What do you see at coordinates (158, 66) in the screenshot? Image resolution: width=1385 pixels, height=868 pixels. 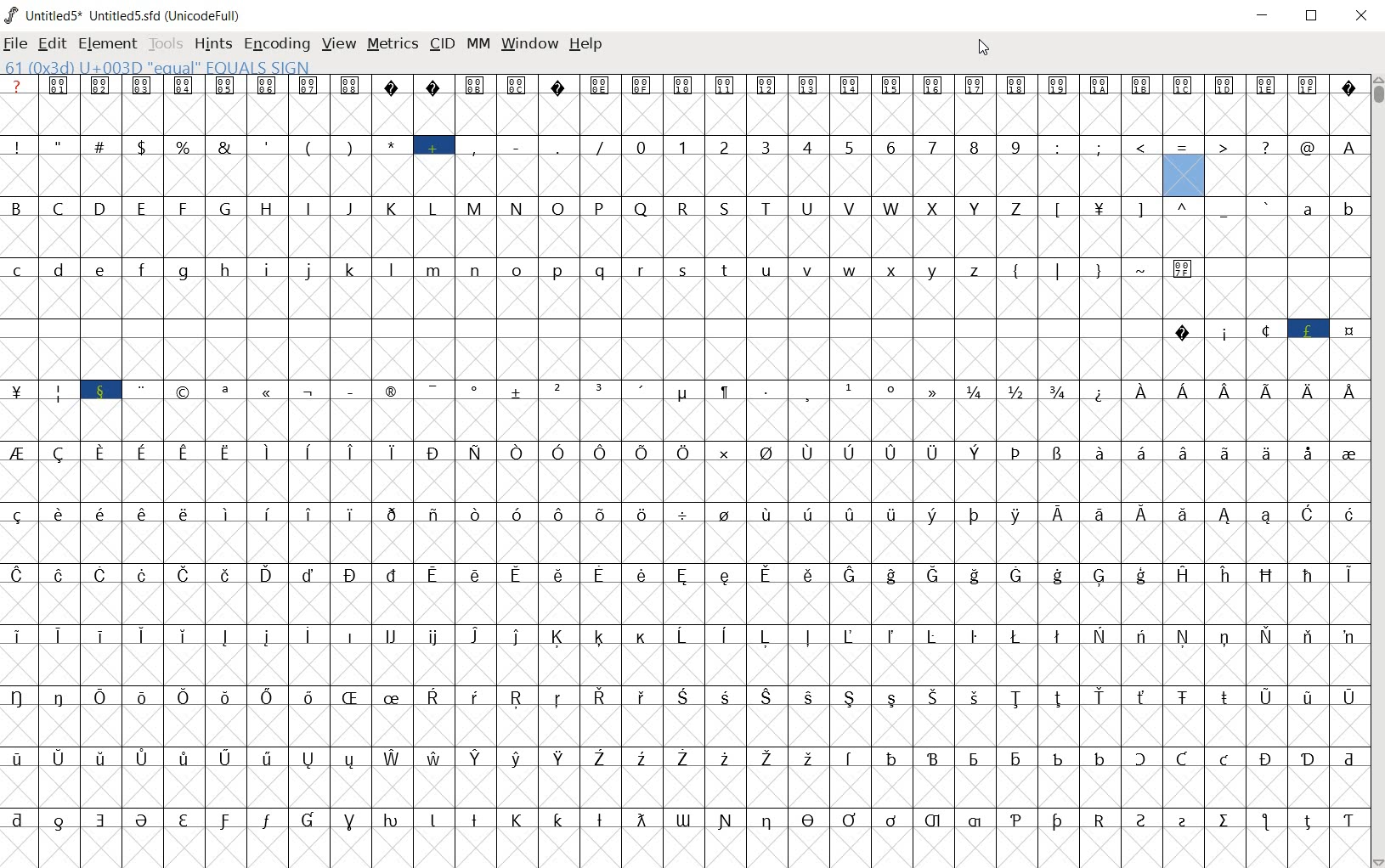 I see `61(0x3d) U+003D "EQUAL" EQUALS SIGN` at bounding box center [158, 66].